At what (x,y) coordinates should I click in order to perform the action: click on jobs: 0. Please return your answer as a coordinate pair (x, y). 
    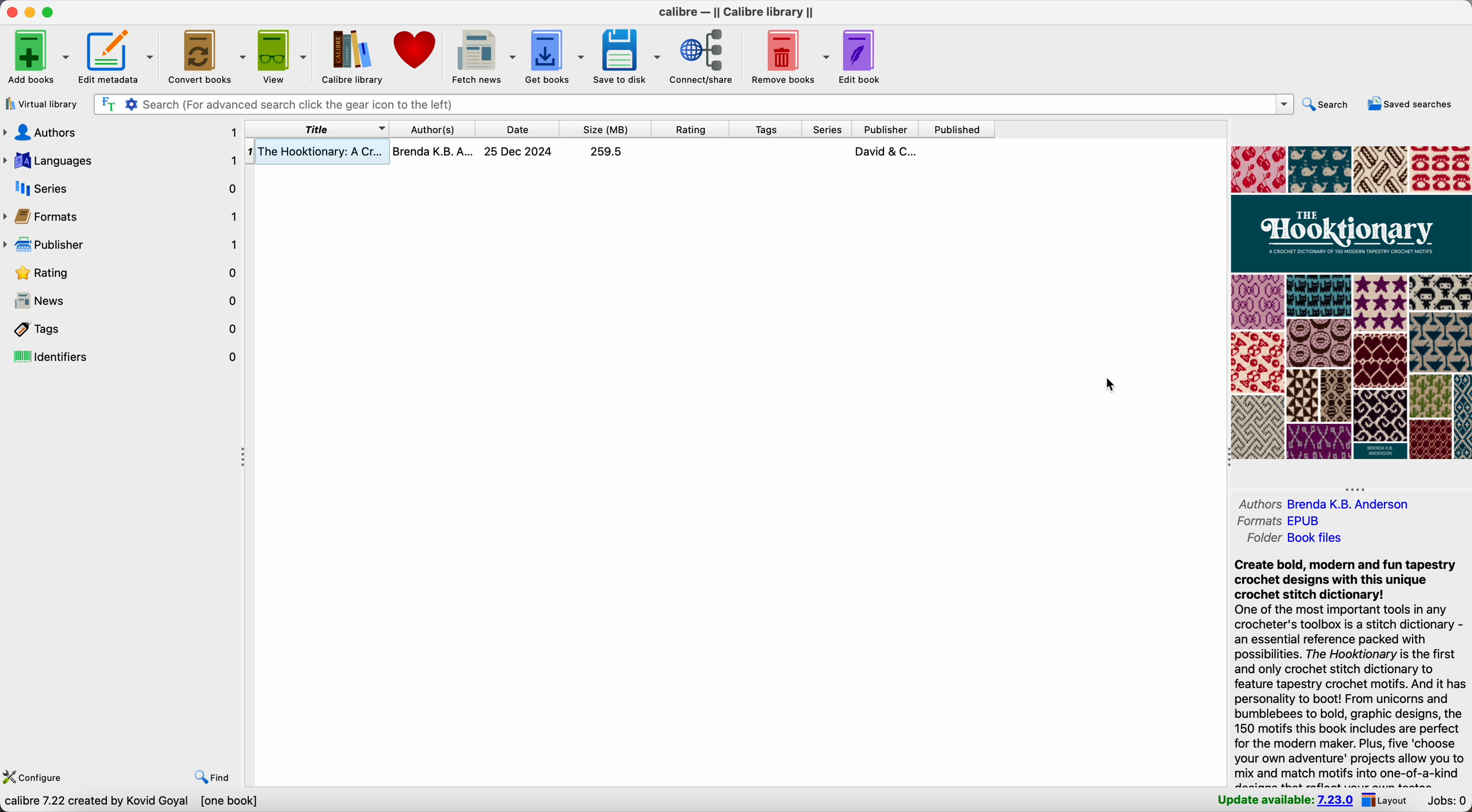
    Looking at the image, I should click on (1448, 802).